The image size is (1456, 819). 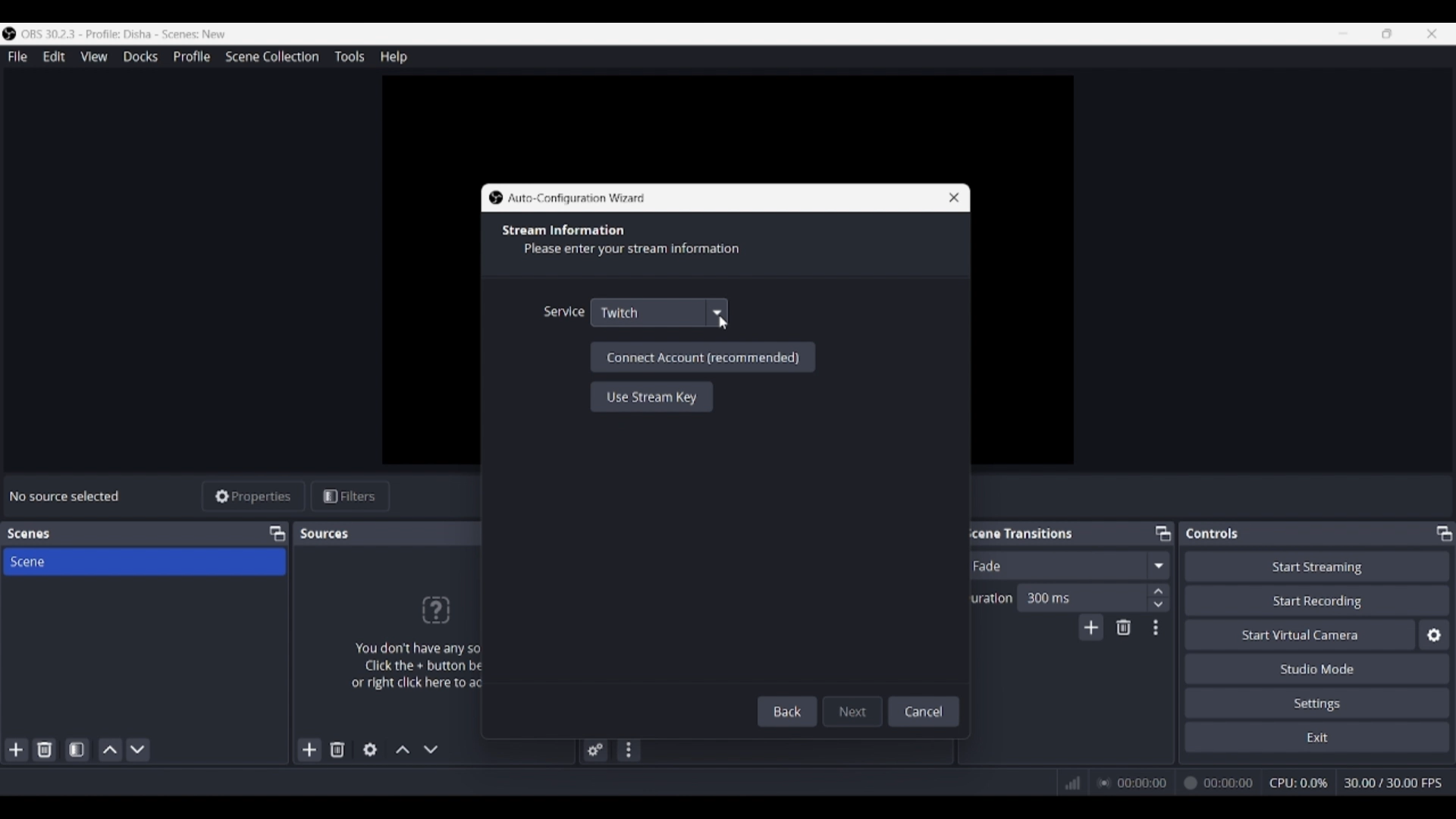 What do you see at coordinates (703, 377) in the screenshot?
I see `Recommended settings` at bounding box center [703, 377].